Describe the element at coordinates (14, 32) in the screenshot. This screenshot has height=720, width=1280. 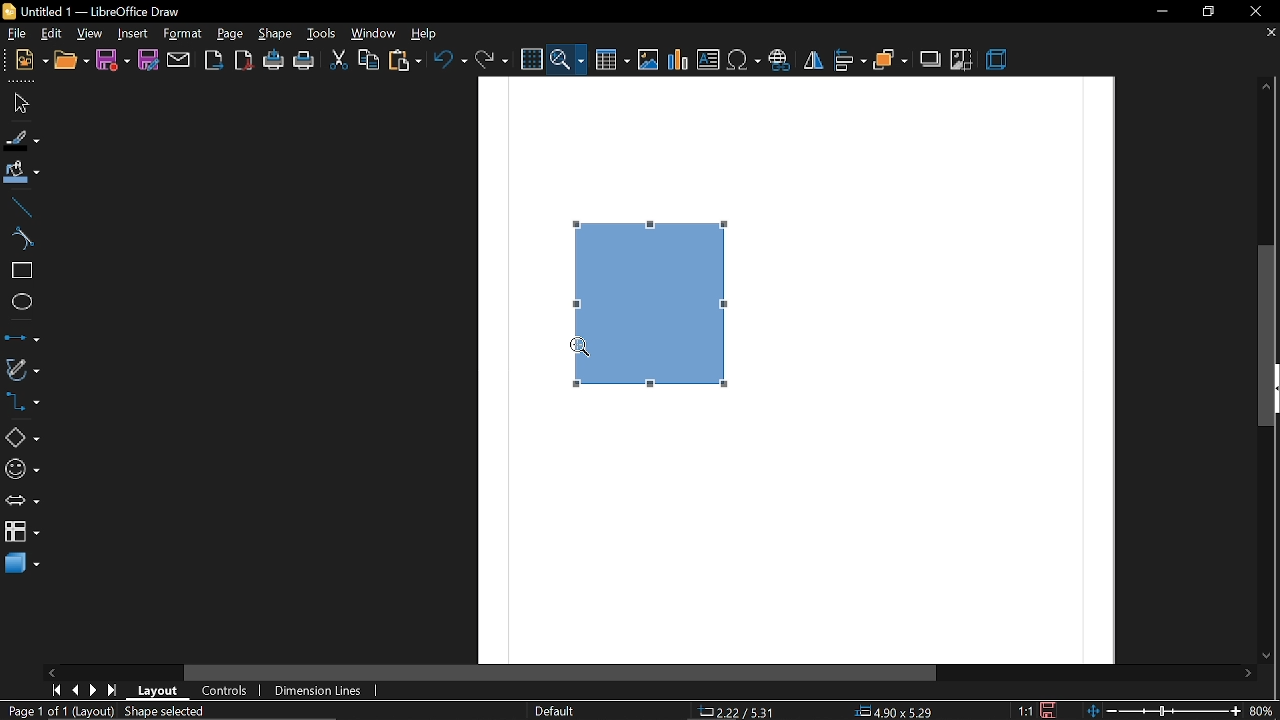
I see `file` at that location.